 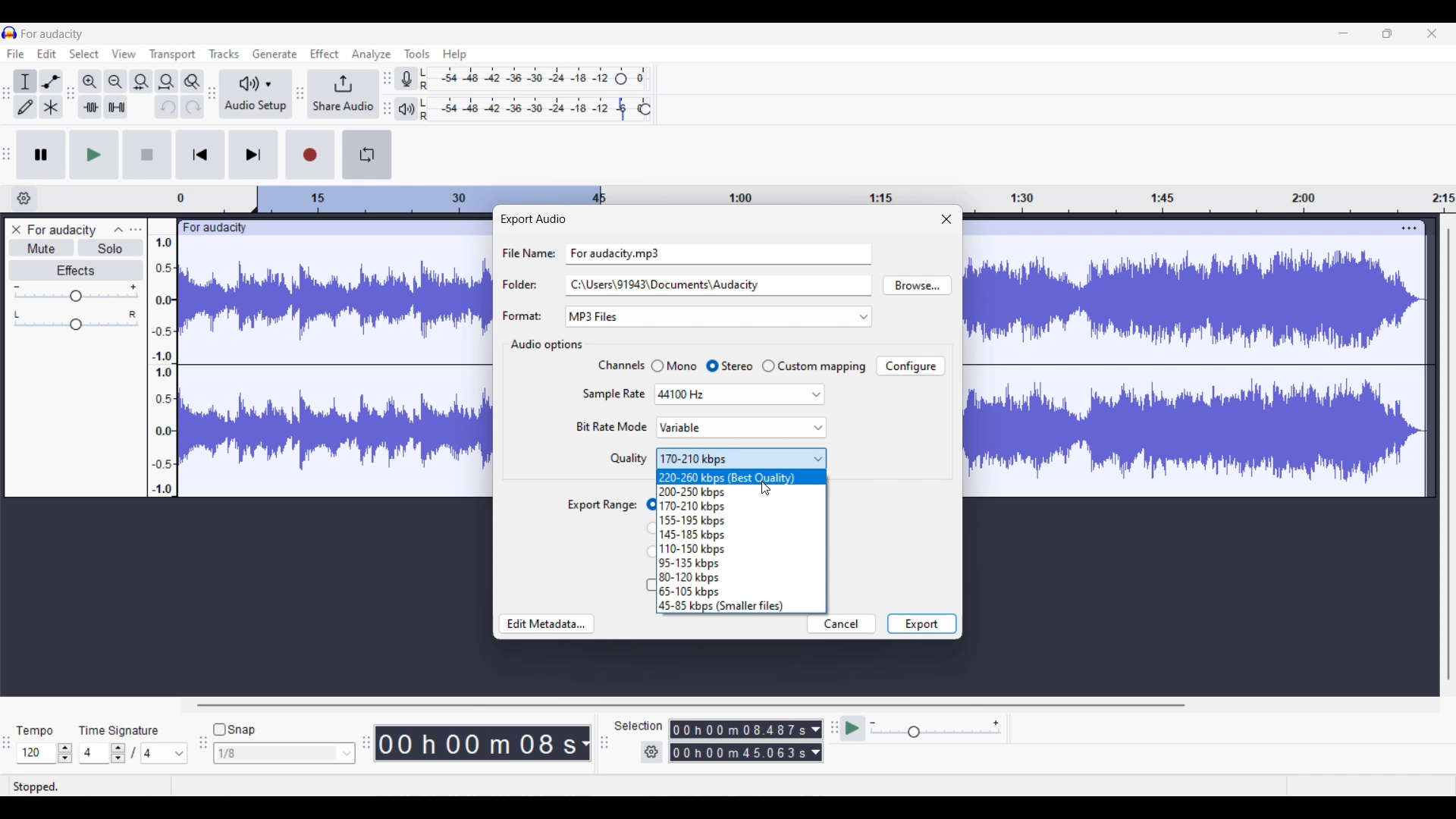 I want to click on Record/Record new track, so click(x=311, y=155).